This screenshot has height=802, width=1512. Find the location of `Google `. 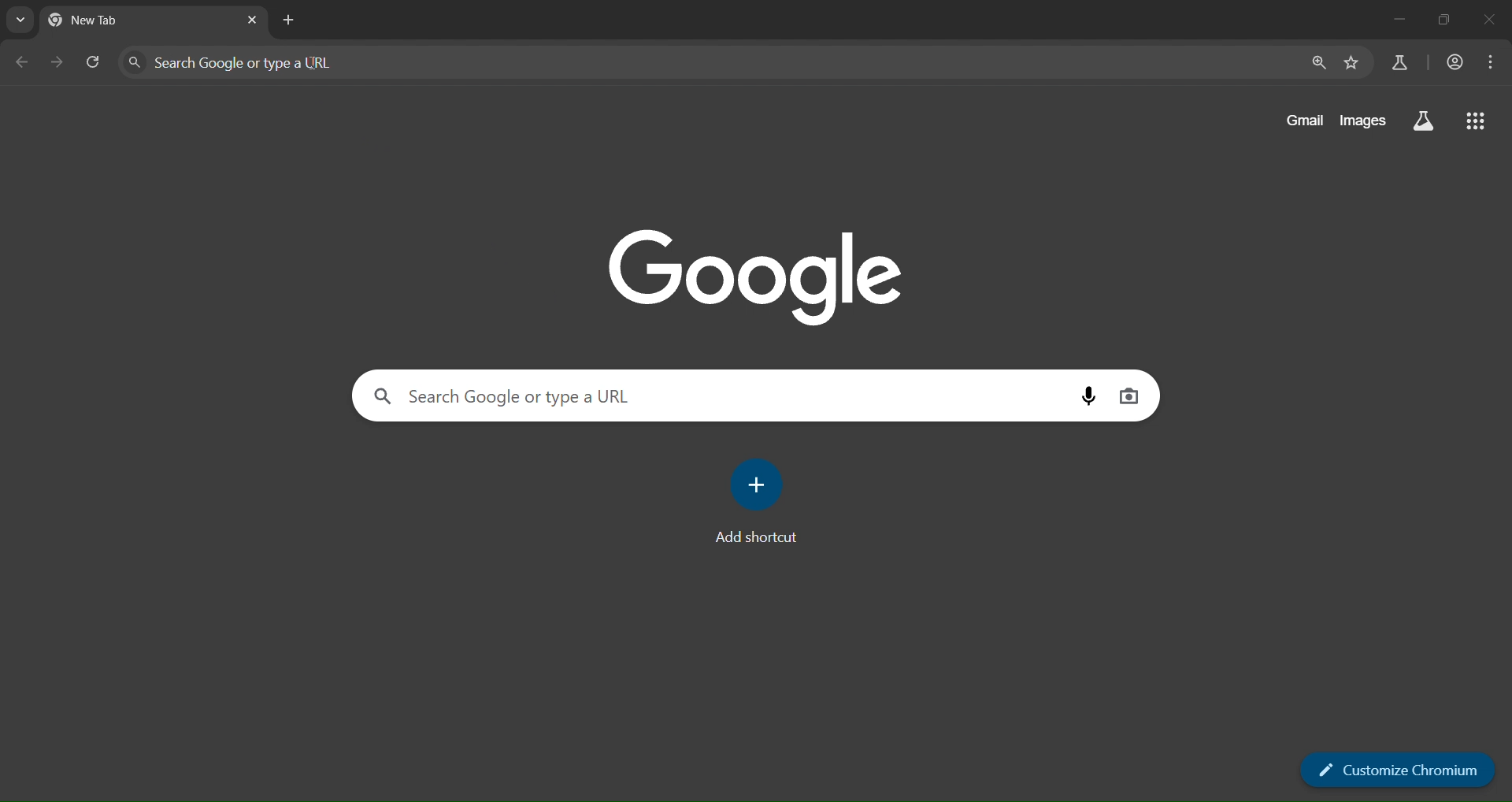

Google  is located at coordinates (755, 273).